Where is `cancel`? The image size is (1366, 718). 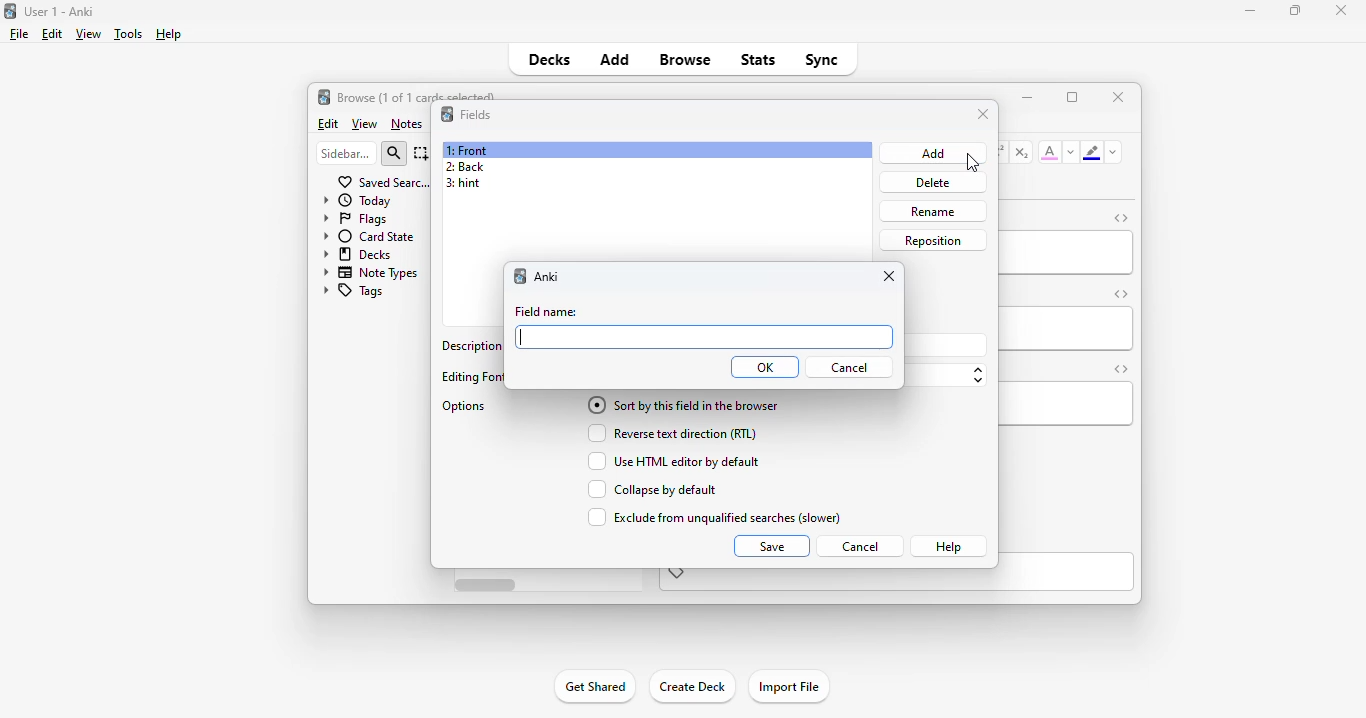
cancel is located at coordinates (859, 547).